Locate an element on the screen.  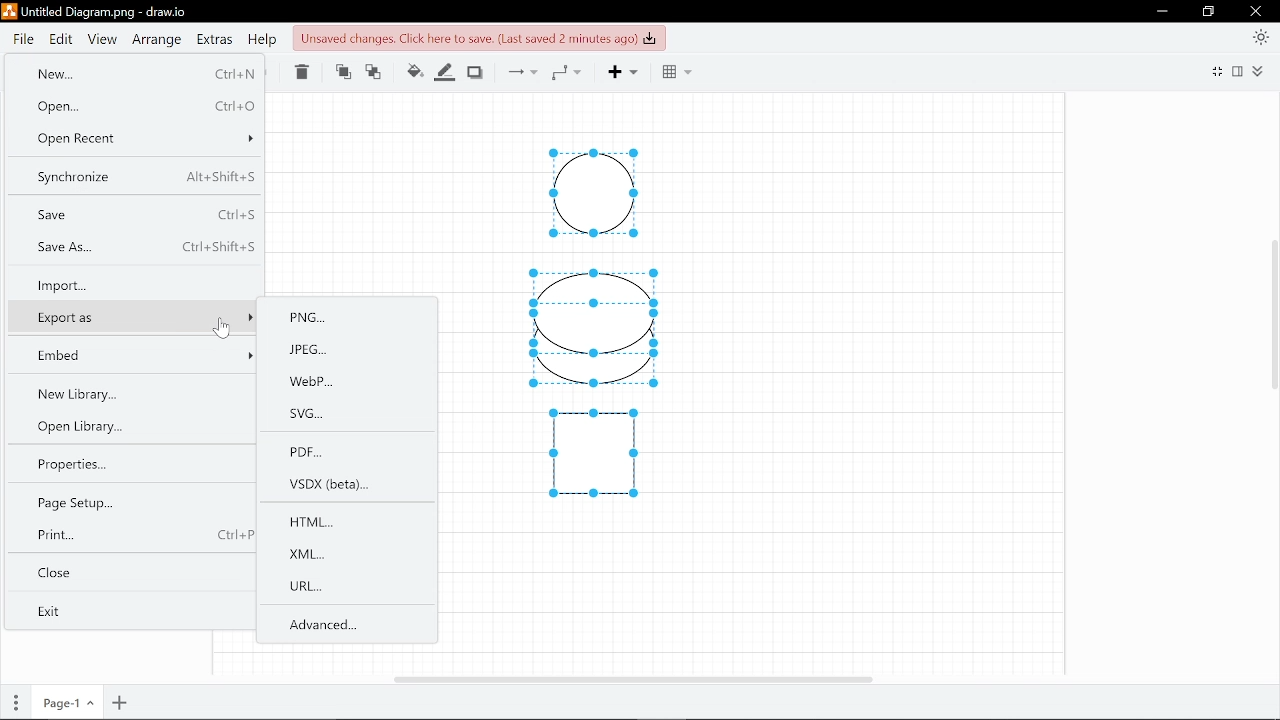
Export as is located at coordinates (138, 318).